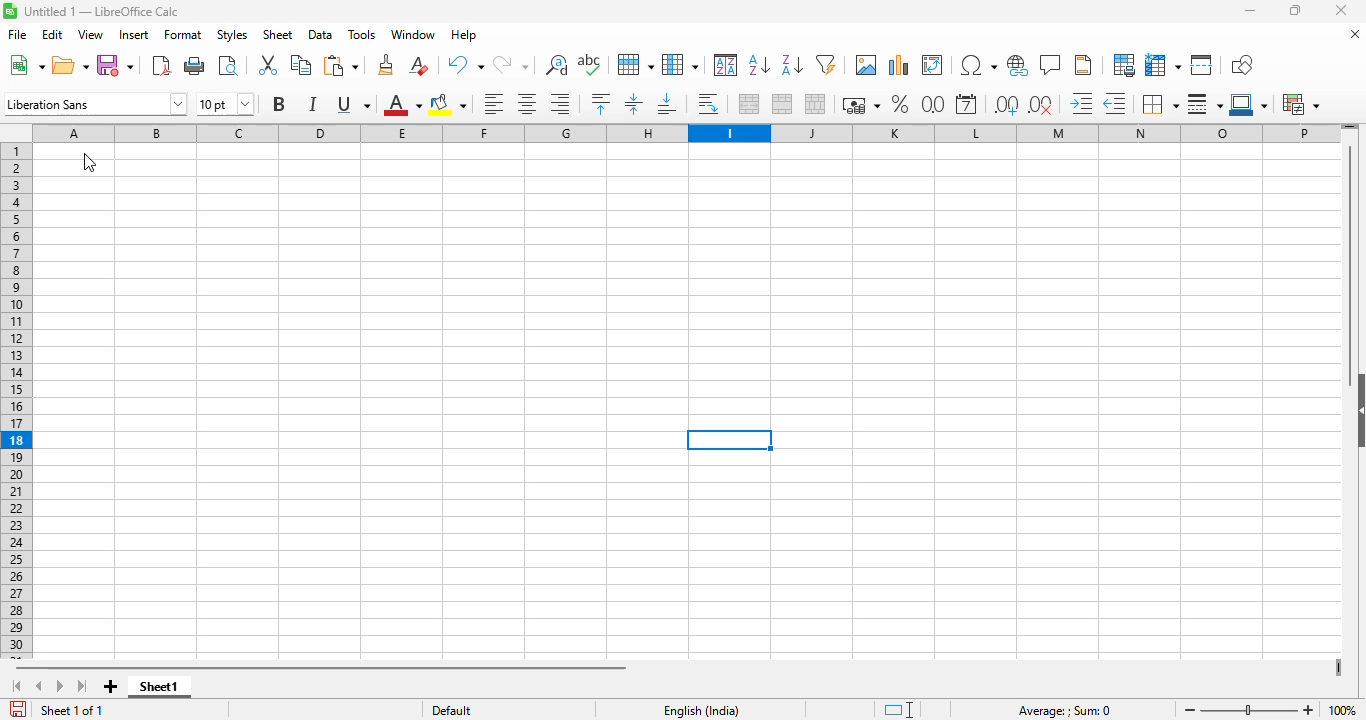 The height and width of the screenshot is (720, 1366). I want to click on insert, so click(134, 34).